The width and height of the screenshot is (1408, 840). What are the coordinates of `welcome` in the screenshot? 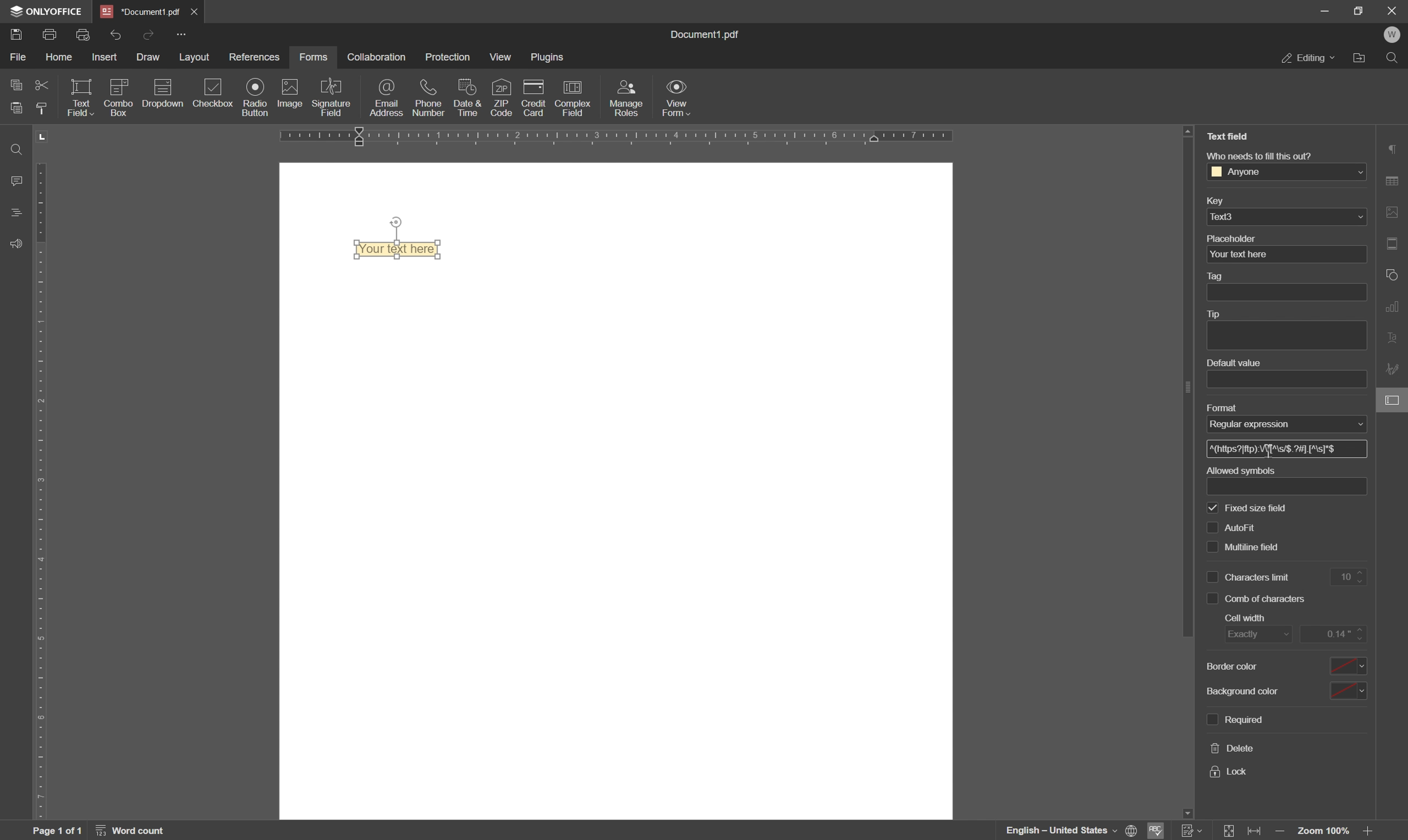 It's located at (1393, 35).